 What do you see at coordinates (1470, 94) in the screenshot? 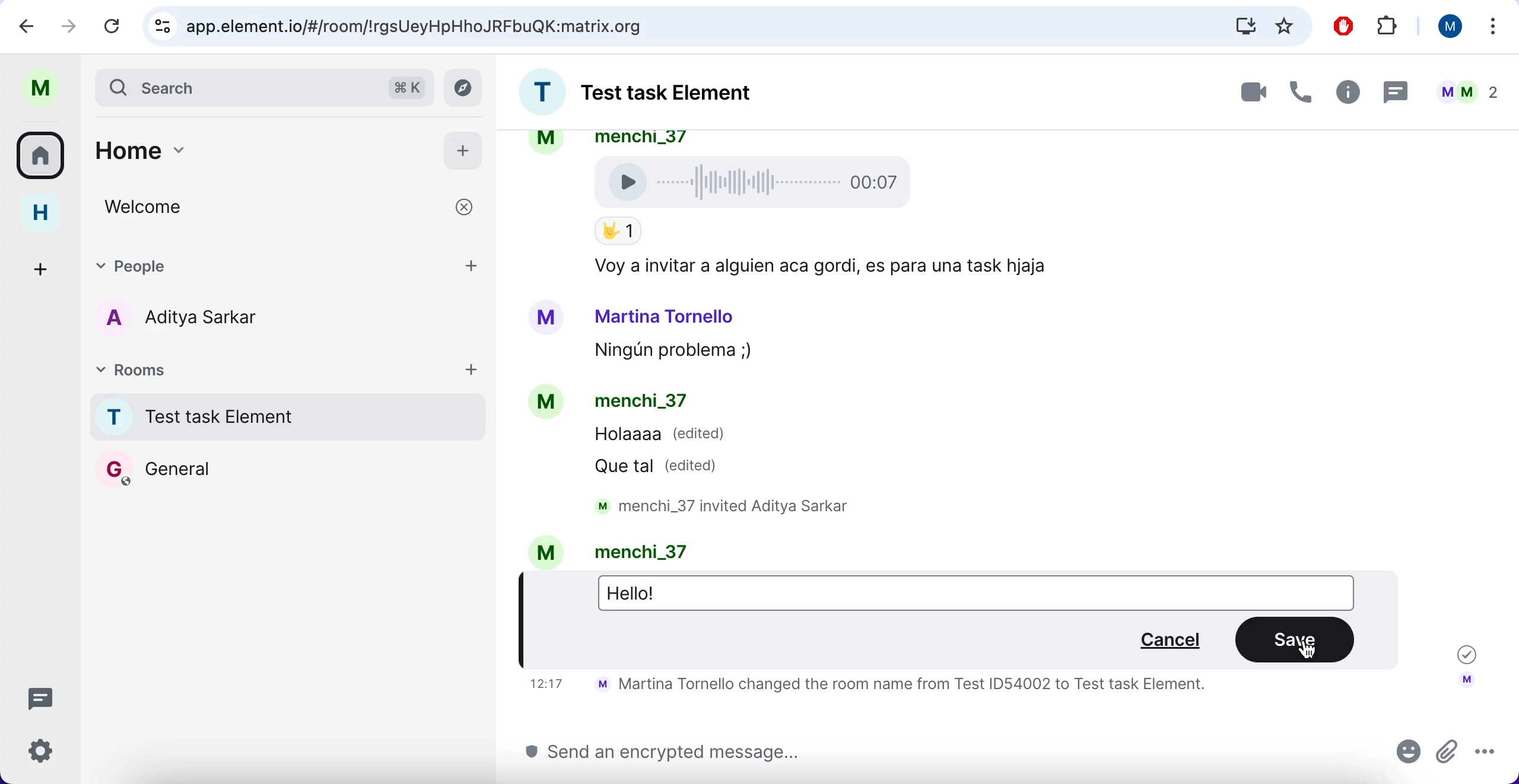
I see `user chats` at bounding box center [1470, 94].